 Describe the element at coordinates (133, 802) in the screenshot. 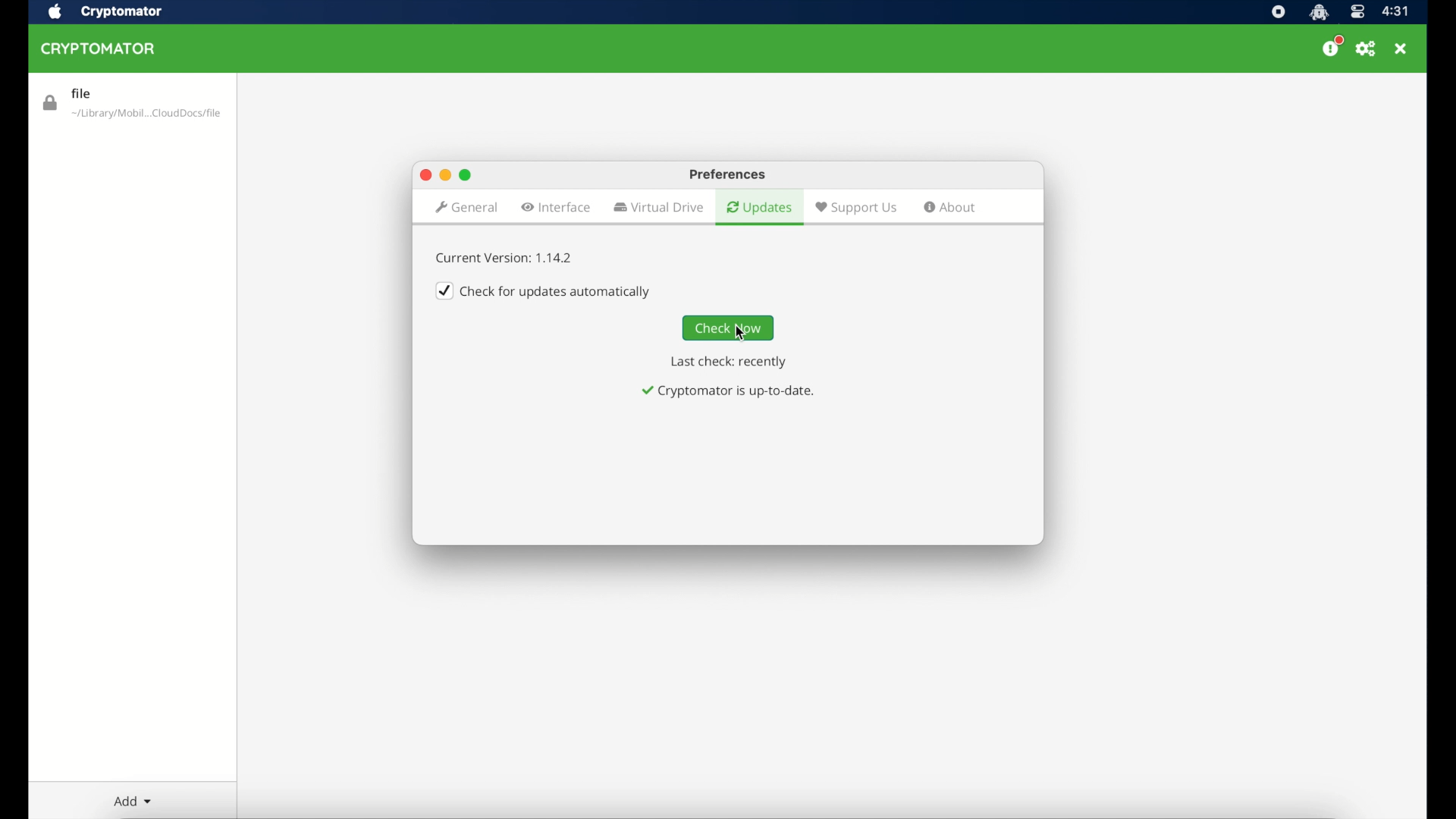

I see `add dropdown` at that location.